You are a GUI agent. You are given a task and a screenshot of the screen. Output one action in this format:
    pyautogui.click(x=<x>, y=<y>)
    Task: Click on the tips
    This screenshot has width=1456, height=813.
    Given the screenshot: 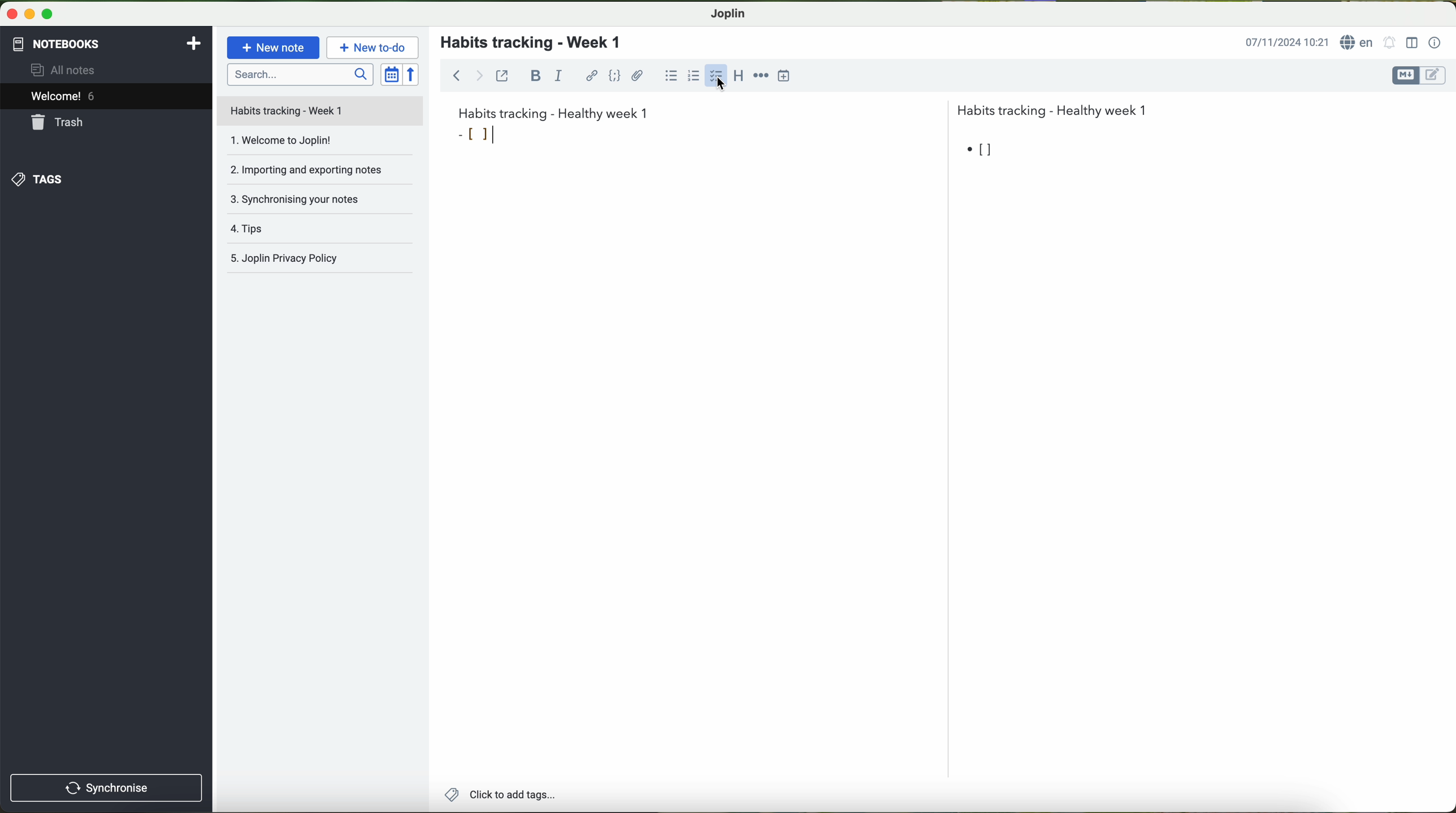 What is the action you would take?
    pyautogui.click(x=322, y=231)
    